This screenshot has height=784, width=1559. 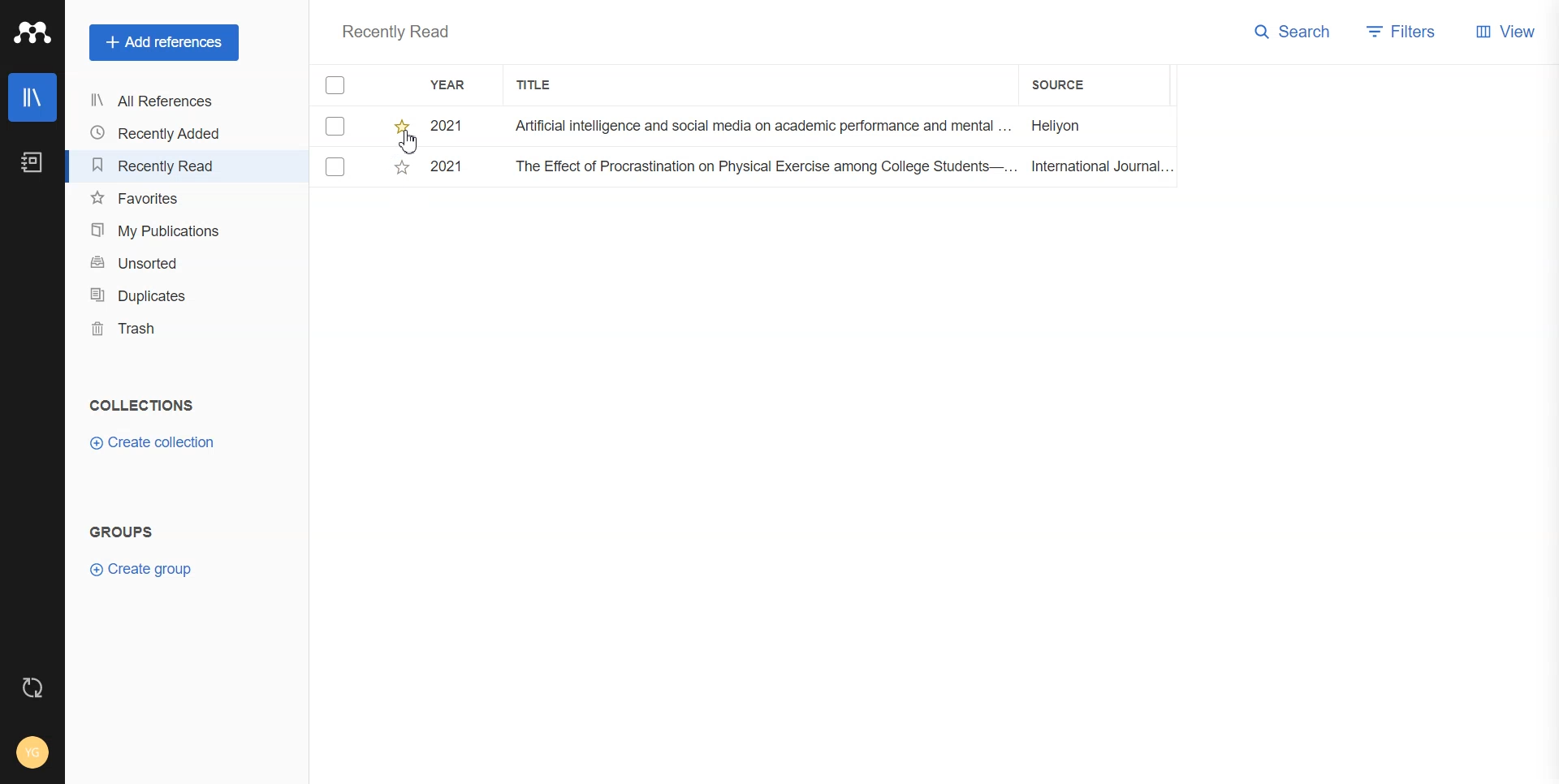 I want to click on Trash, so click(x=162, y=330).